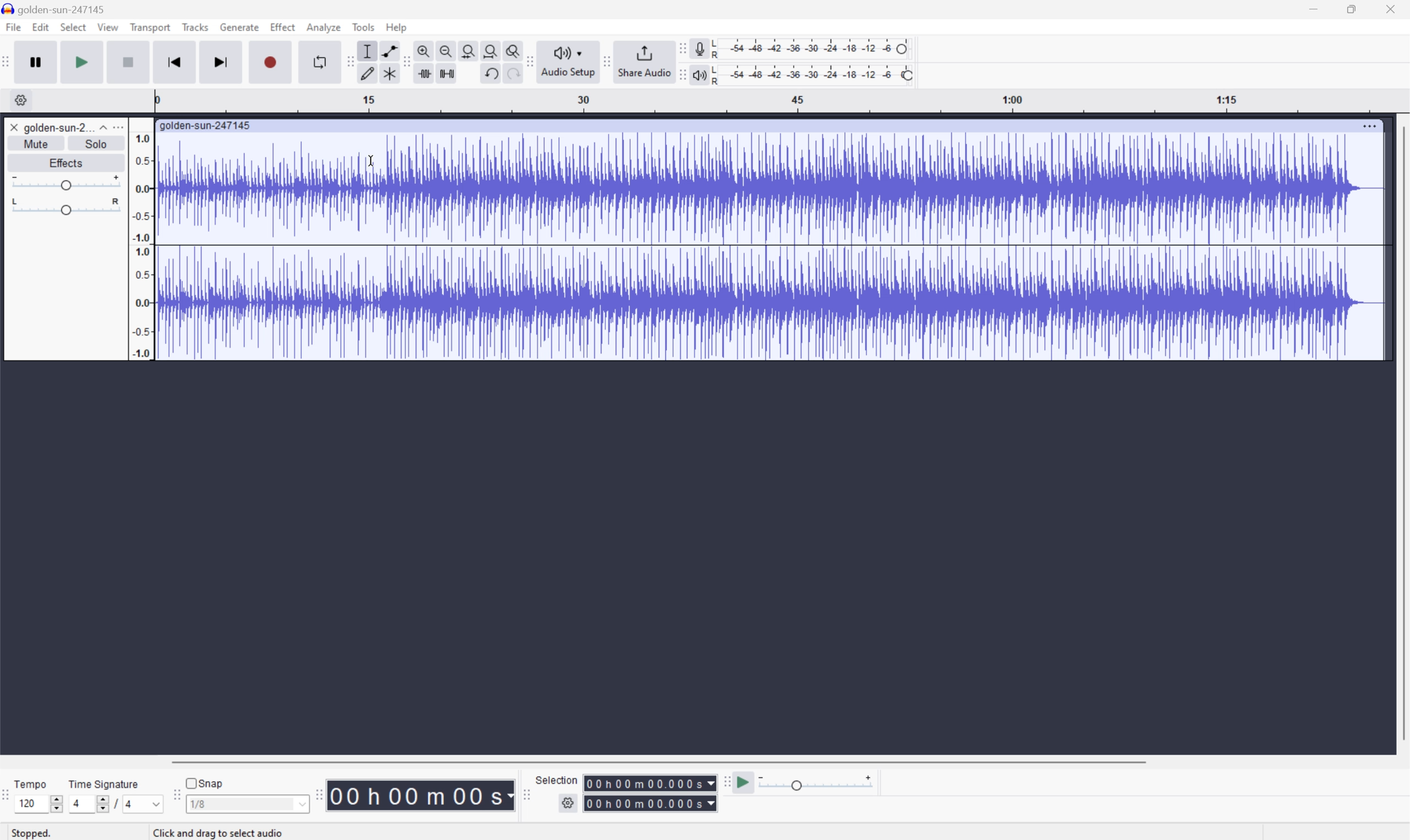 The image size is (1410, 840). I want to click on Enable looping, so click(317, 61).